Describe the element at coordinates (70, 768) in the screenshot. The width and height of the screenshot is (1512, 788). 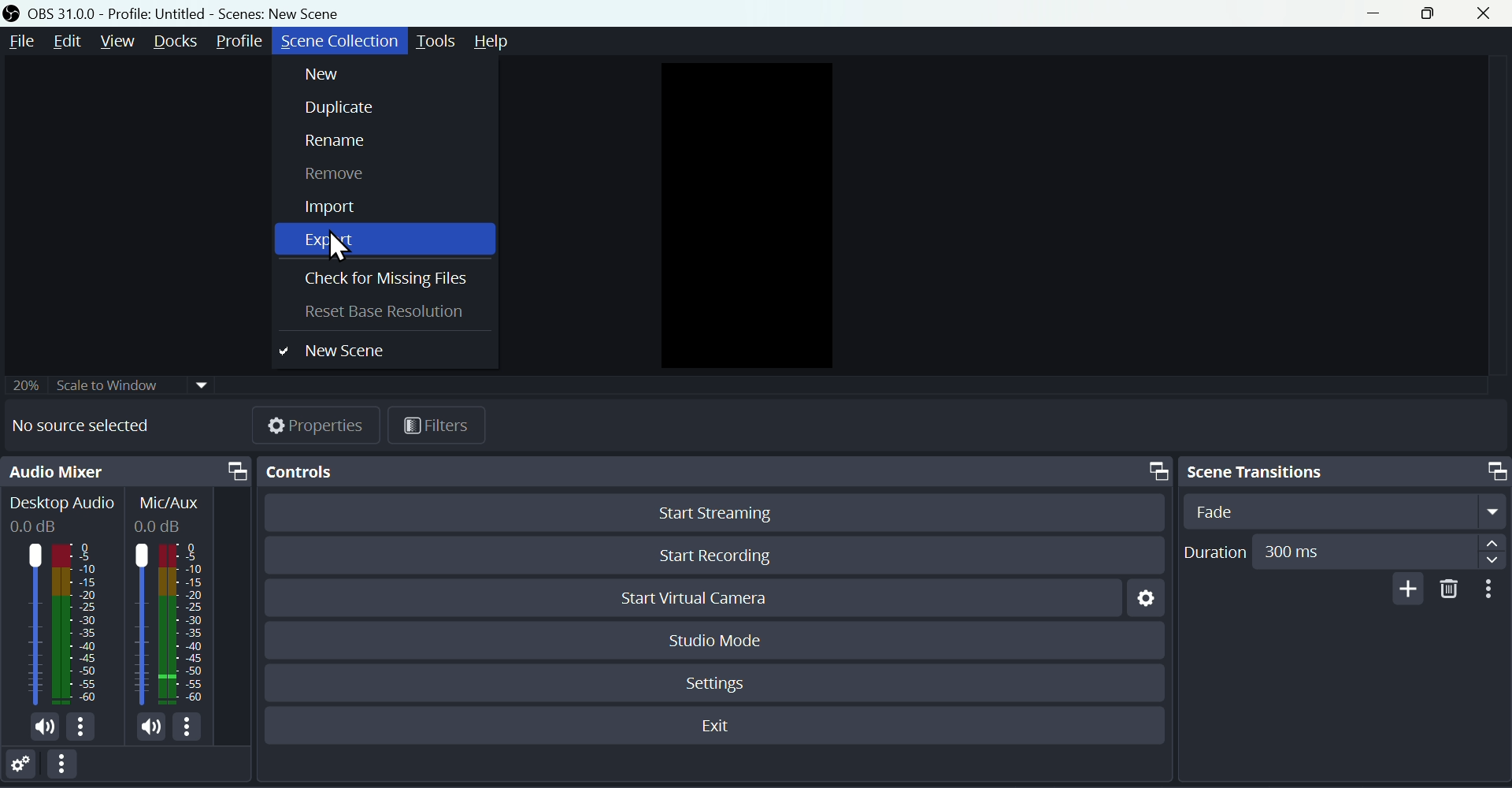
I see `More options` at that location.